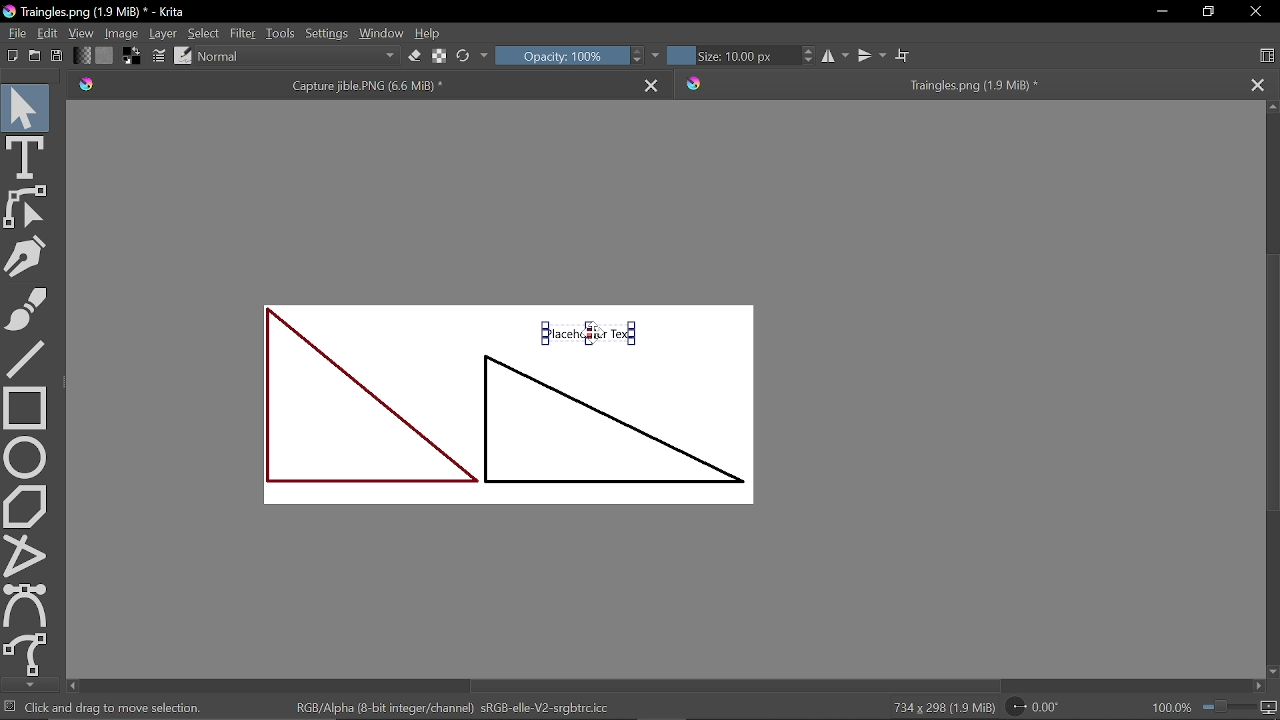 This screenshot has width=1280, height=720. Describe the element at coordinates (50, 34) in the screenshot. I see `Edit ` at that location.